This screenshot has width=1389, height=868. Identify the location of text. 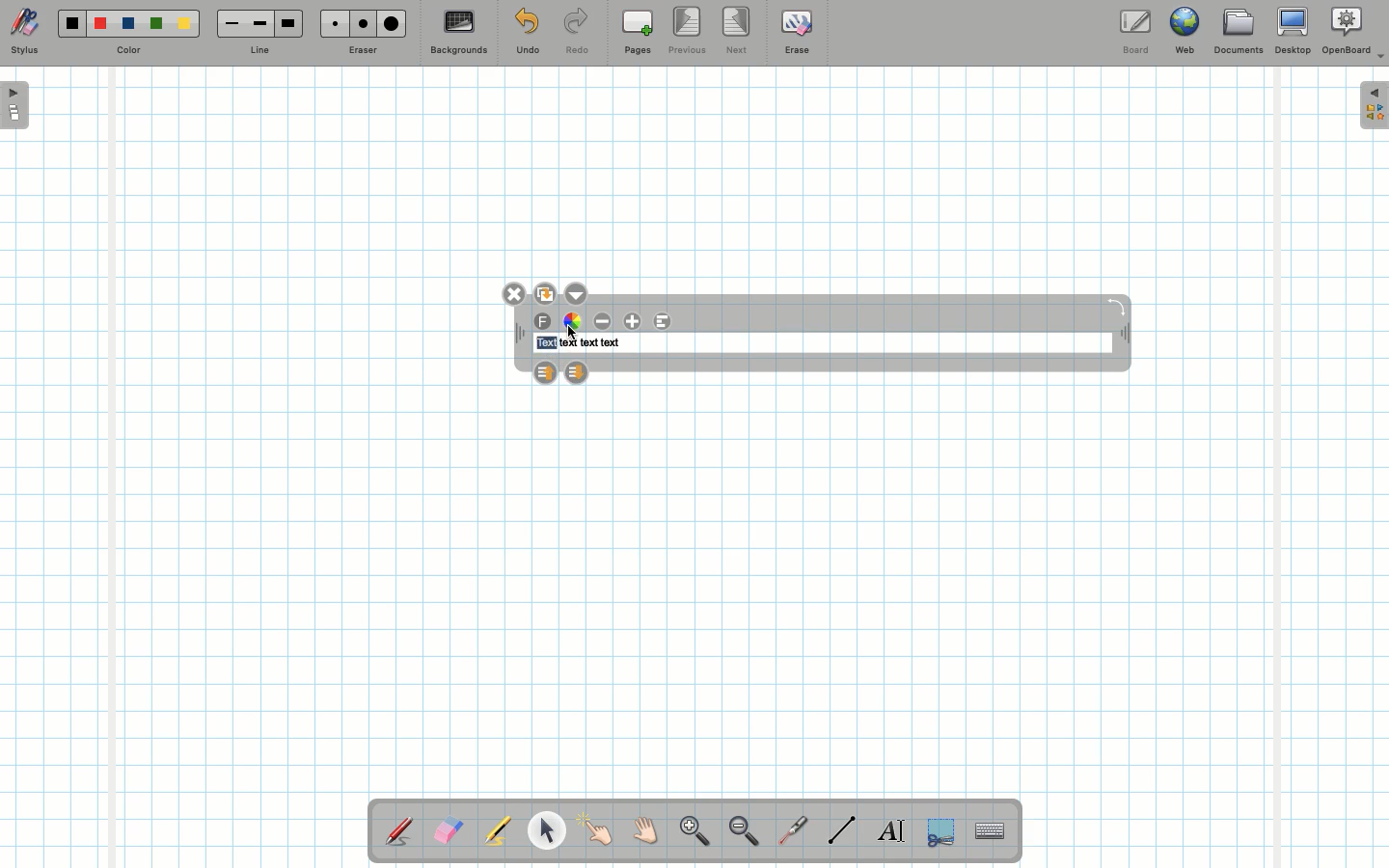
(611, 343).